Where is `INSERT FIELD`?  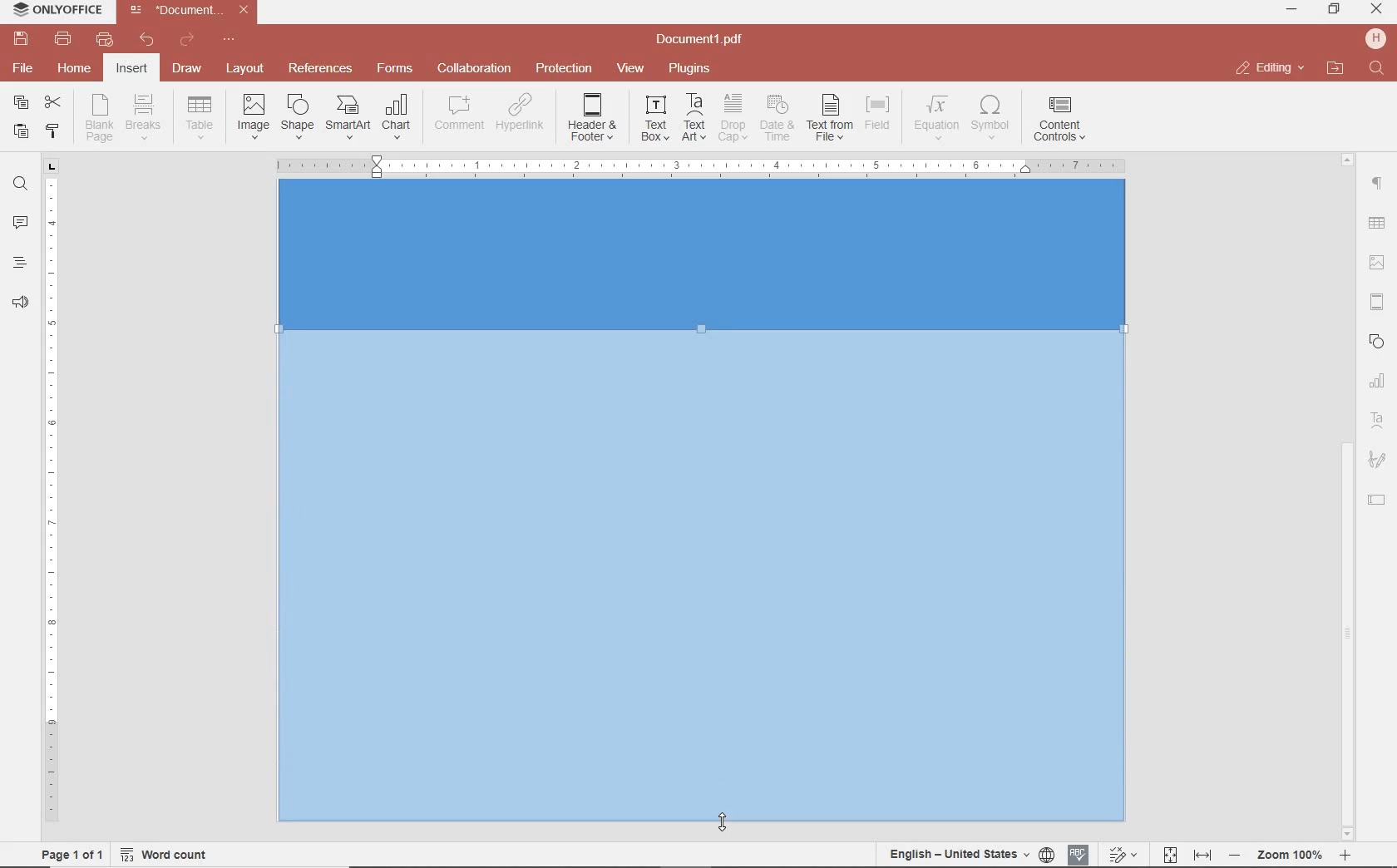 INSERT FIELD is located at coordinates (879, 113).